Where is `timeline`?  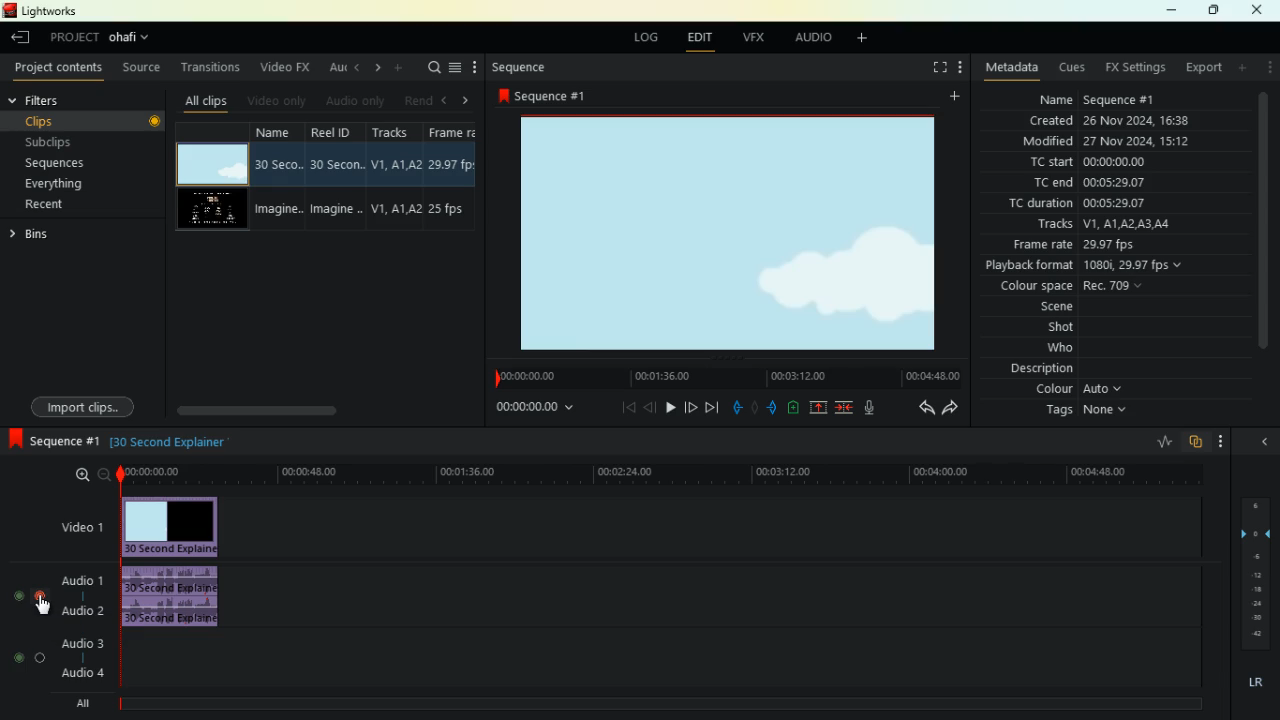 timeline is located at coordinates (658, 476).